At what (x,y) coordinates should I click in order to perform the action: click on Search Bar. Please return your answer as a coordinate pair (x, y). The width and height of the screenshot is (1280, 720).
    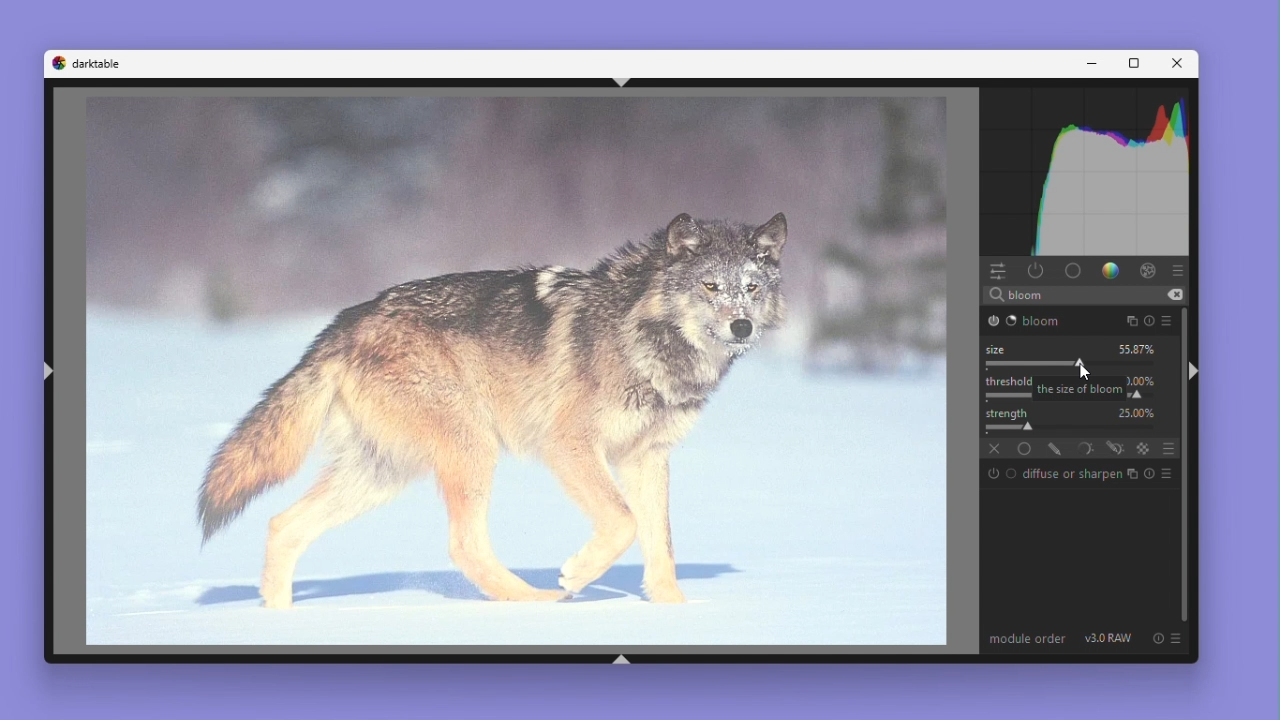
    Looking at the image, I should click on (1082, 295).